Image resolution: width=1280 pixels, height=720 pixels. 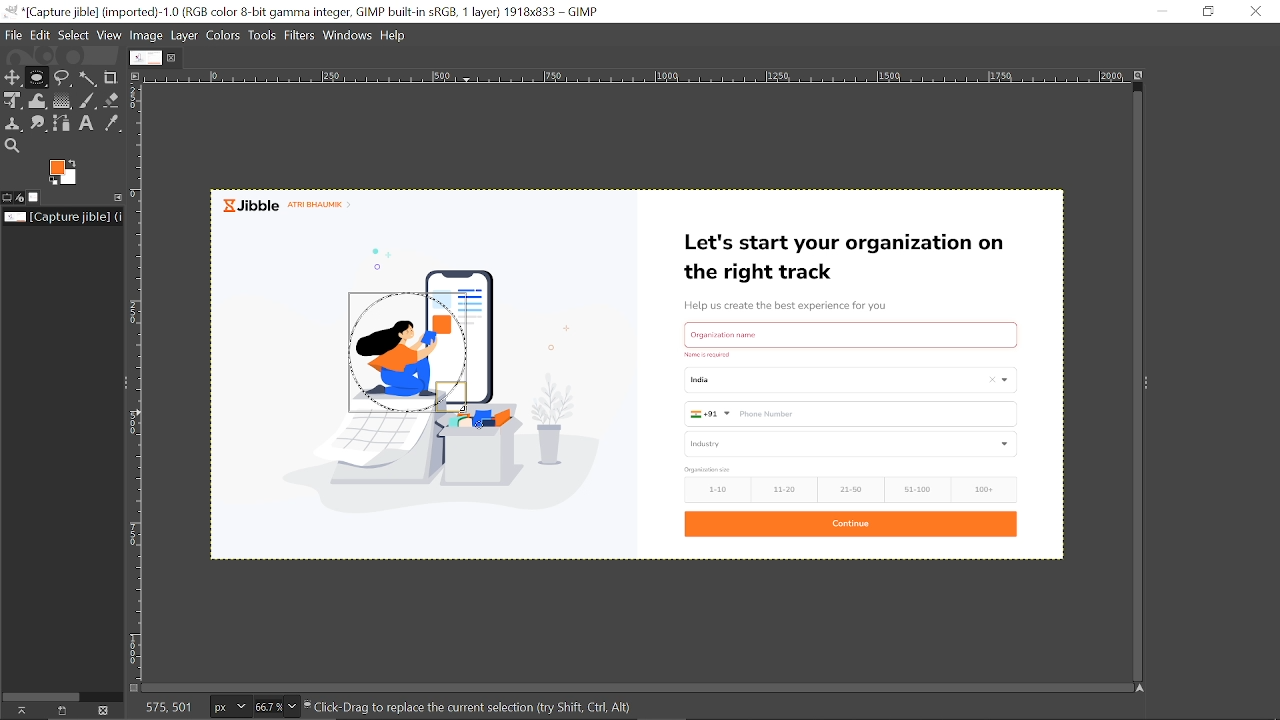 I want to click on Current window, so click(x=305, y=13).